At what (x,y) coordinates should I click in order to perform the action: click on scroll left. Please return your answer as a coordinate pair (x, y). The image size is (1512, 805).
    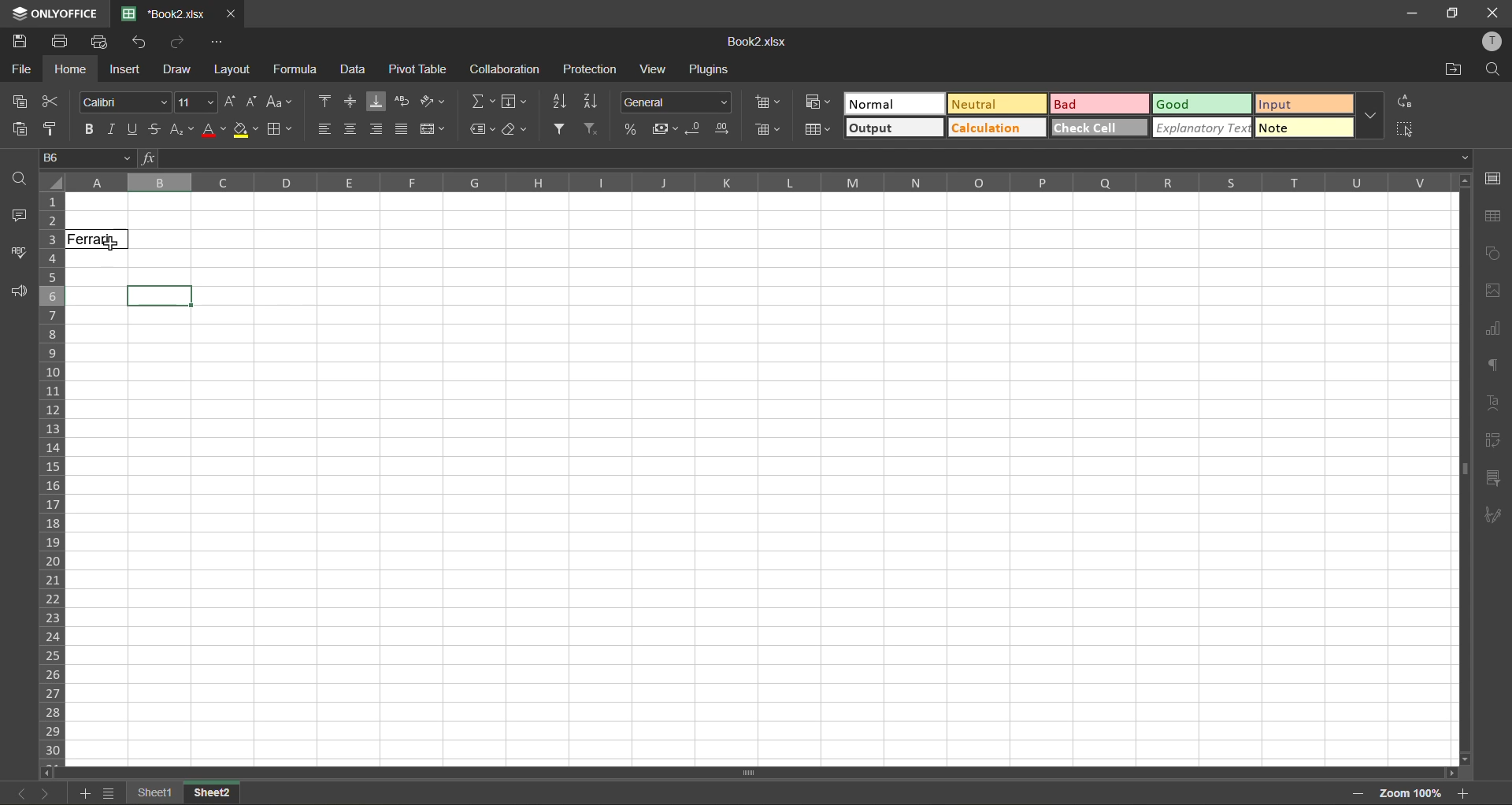
    Looking at the image, I should click on (50, 773).